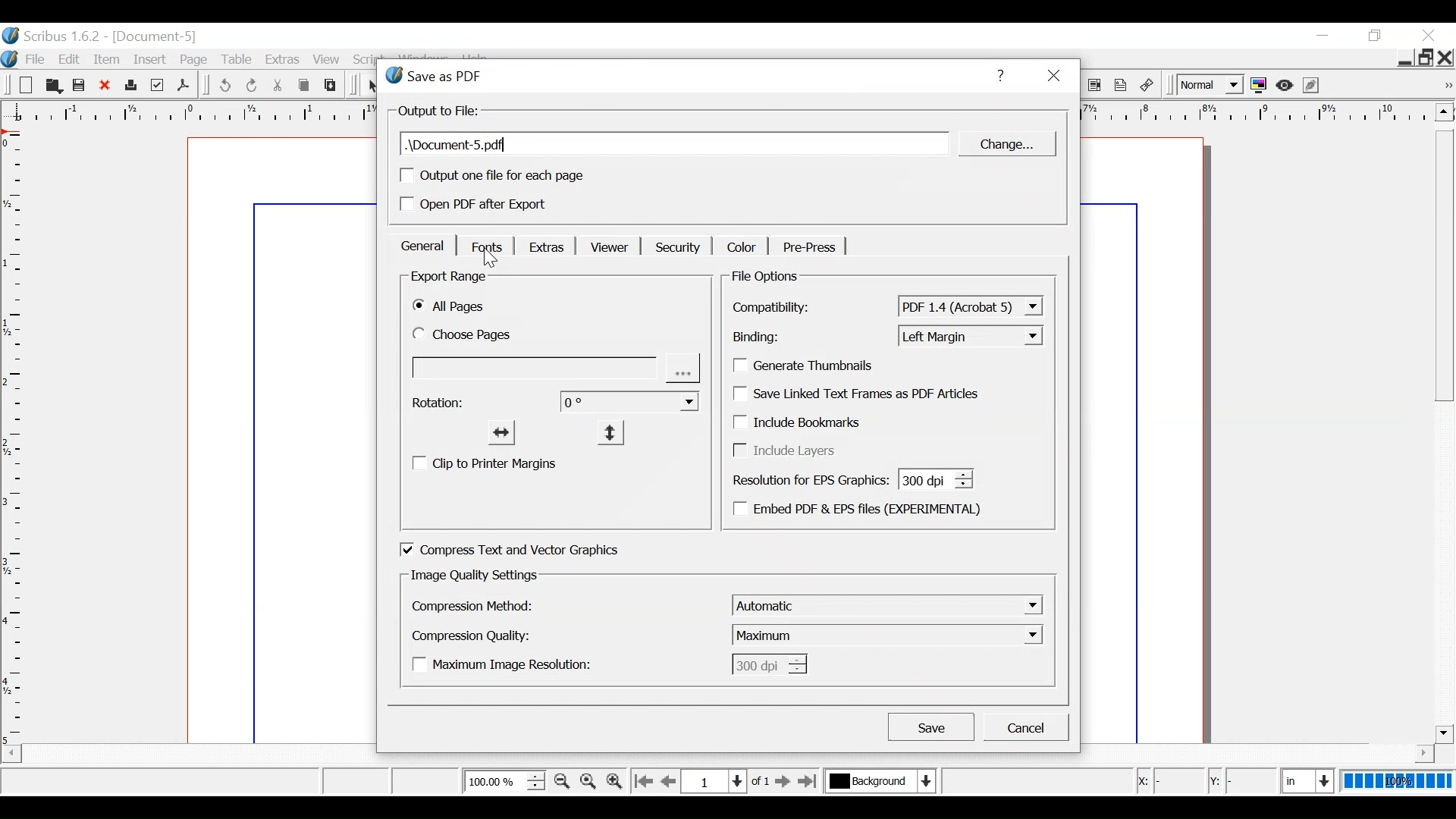 The image size is (1456, 819). What do you see at coordinates (784, 782) in the screenshot?
I see `Go to the next page` at bounding box center [784, 782].